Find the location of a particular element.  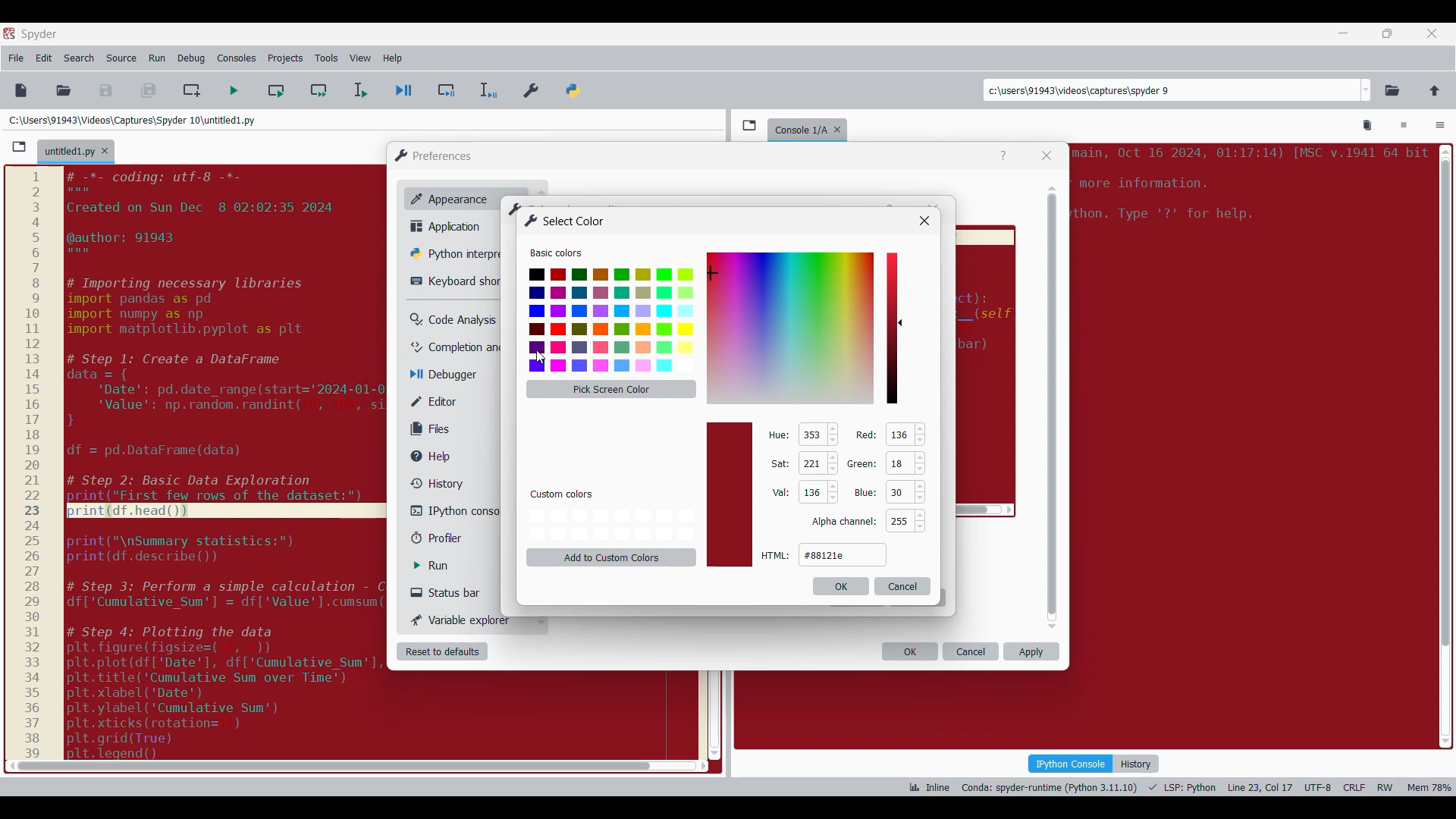

Debug menu is located at coordinates (191, 58).